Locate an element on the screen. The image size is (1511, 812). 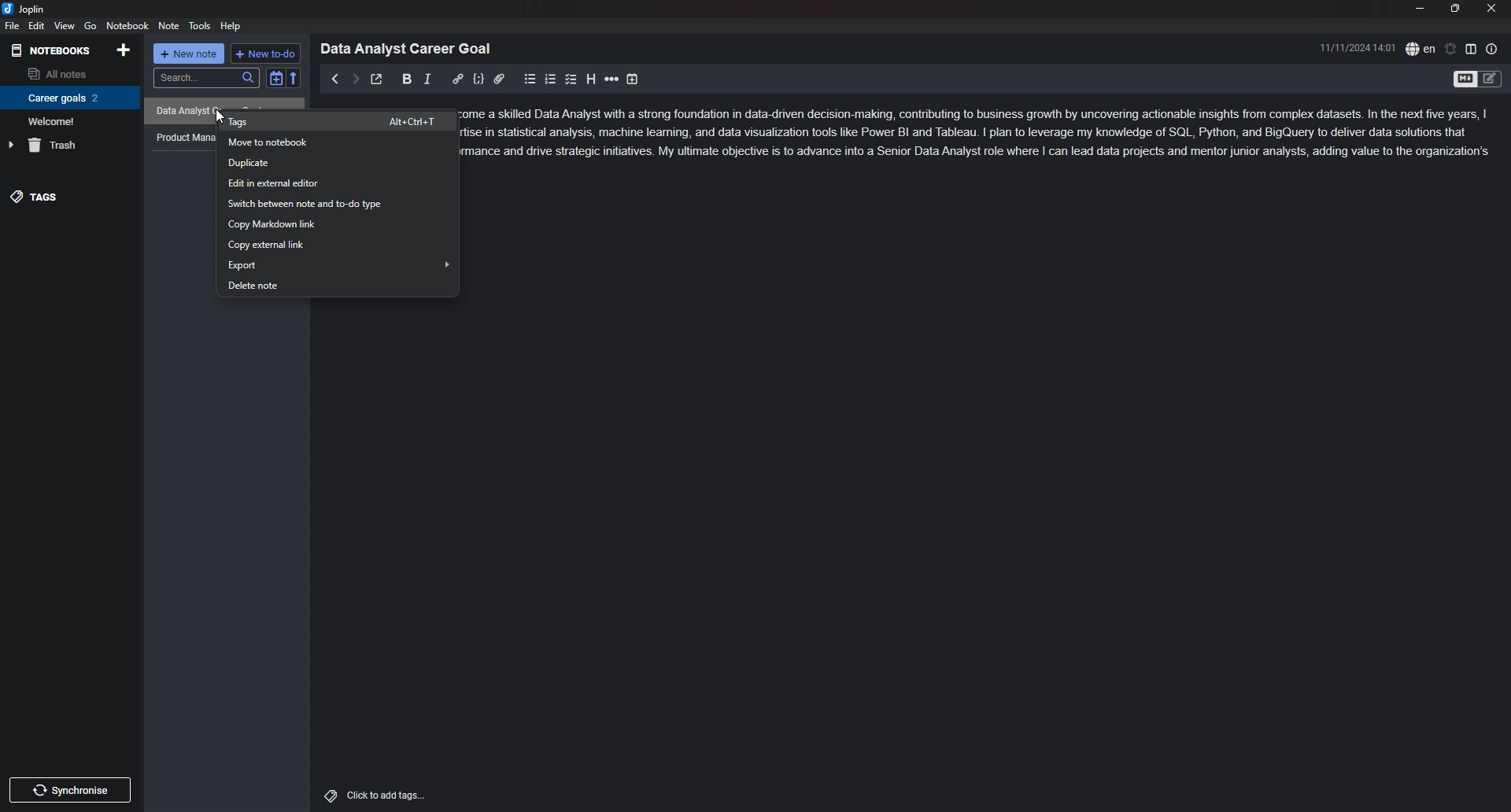
code is located at coordinates (478, 79).